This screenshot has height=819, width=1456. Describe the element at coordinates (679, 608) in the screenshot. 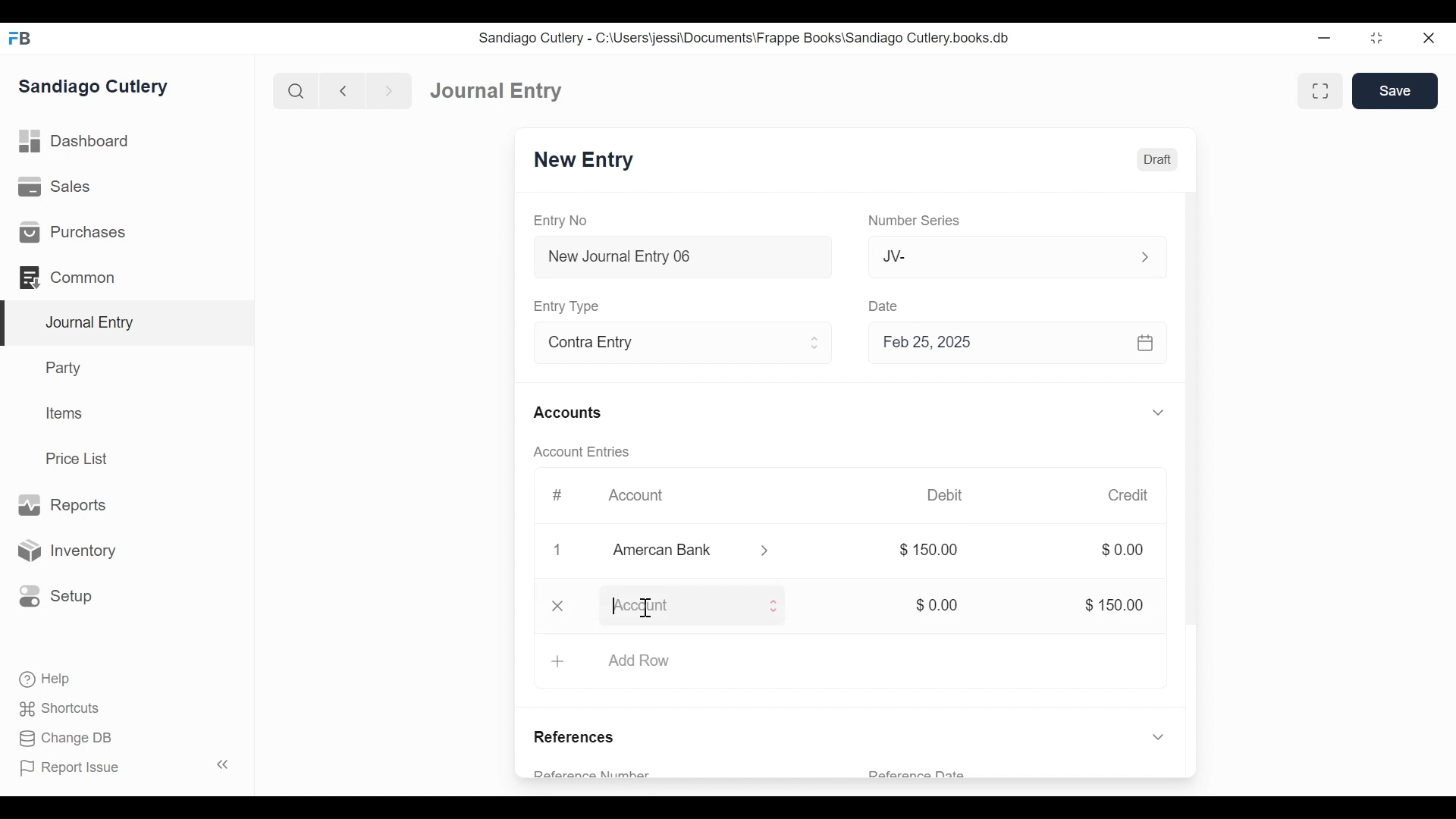

I see `Account` at that location.